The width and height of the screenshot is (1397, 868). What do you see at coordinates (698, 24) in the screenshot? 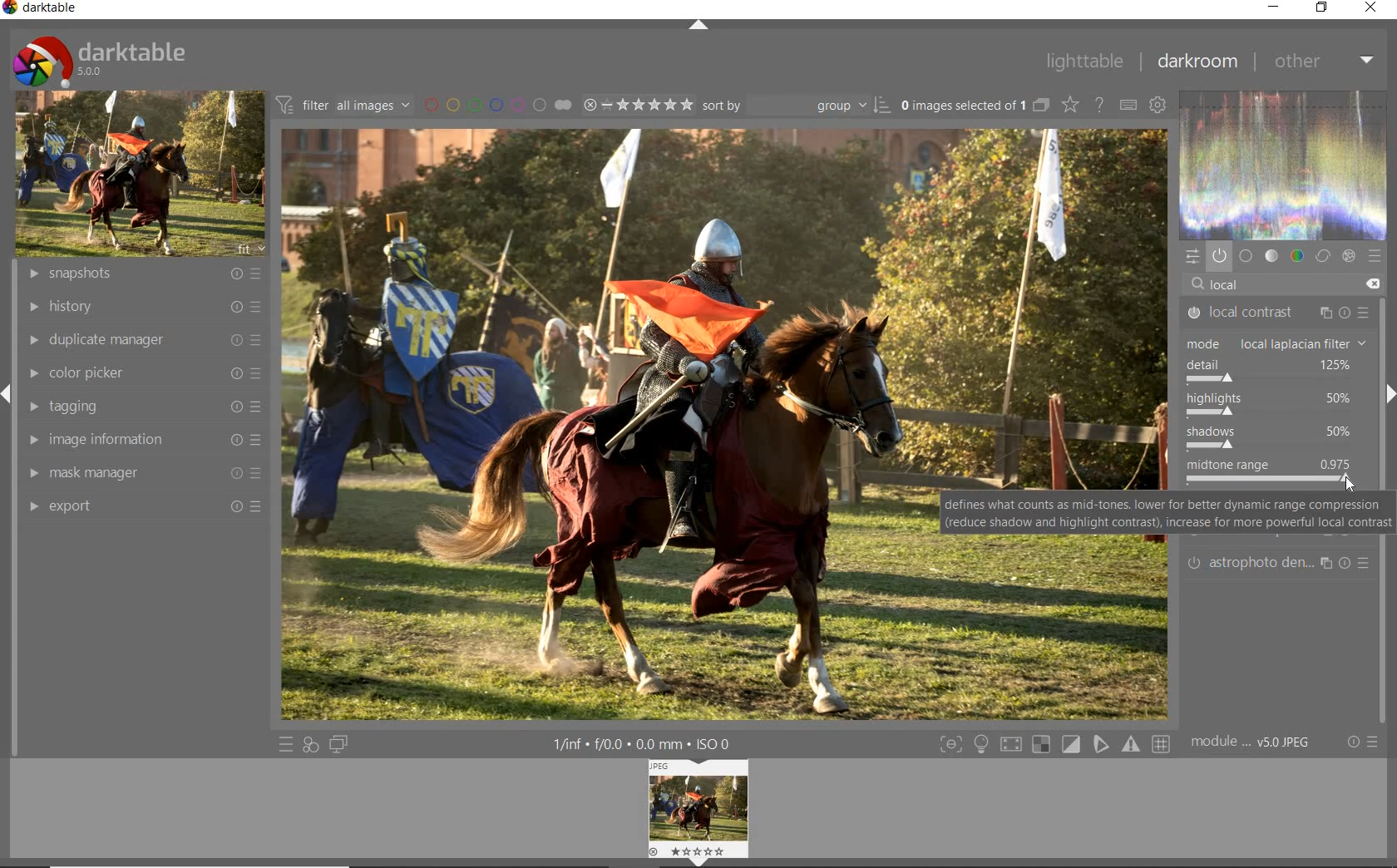
I see `expand/collapse` at bounding box center [698, 24].